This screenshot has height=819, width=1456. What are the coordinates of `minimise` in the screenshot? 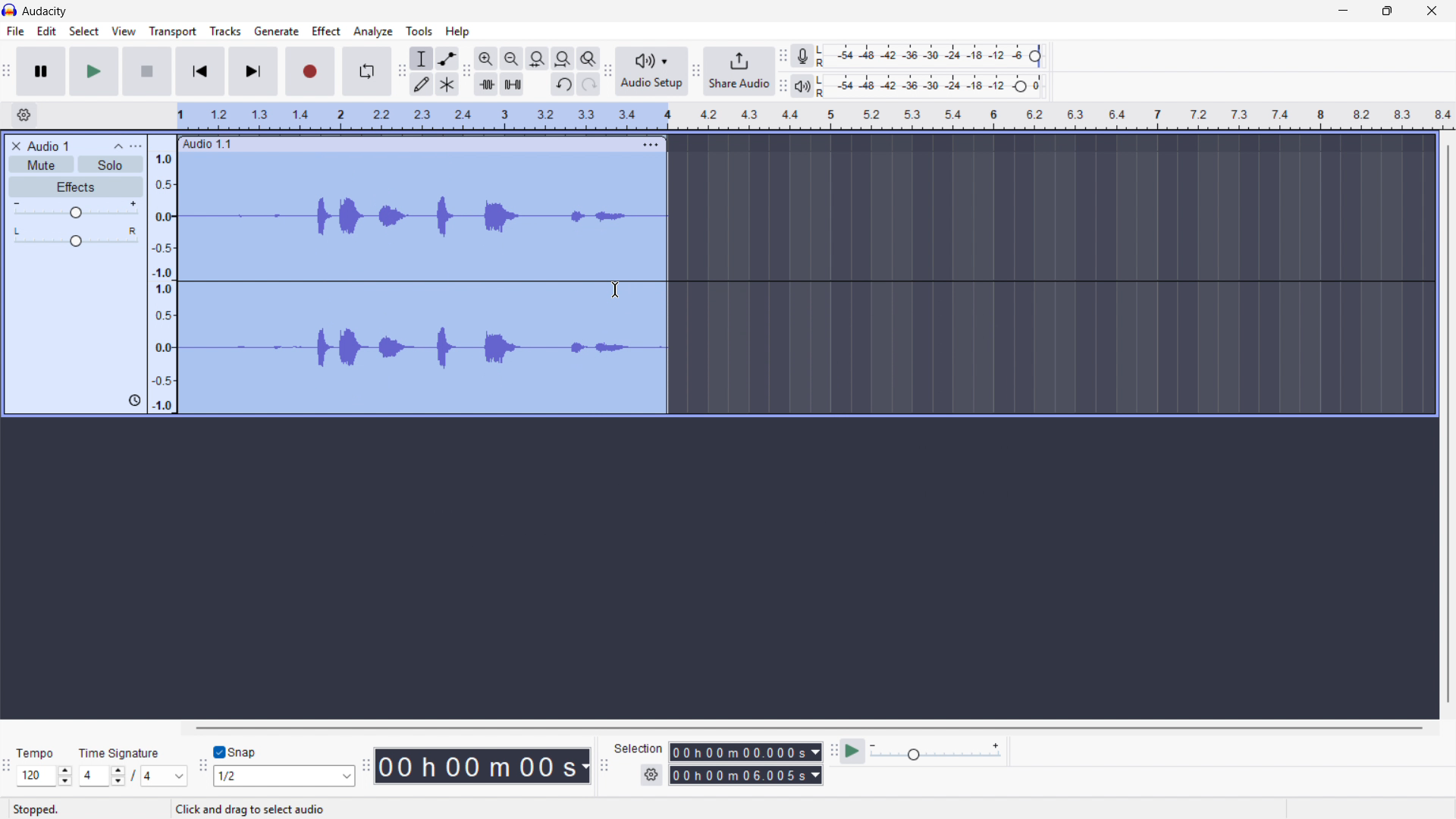 It's located at (1341, 11).